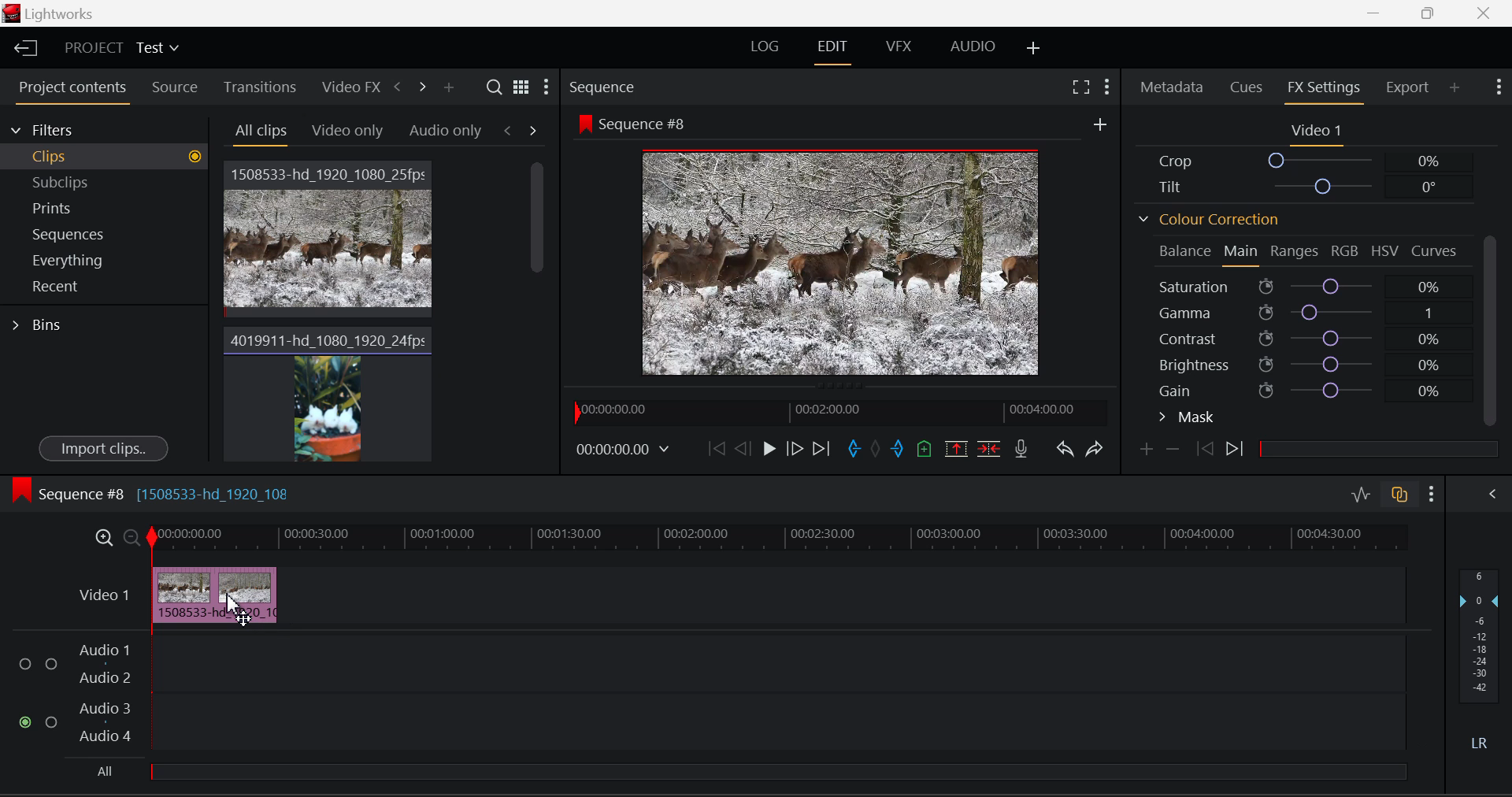  I want to click on Redo, so click(1095, 451).